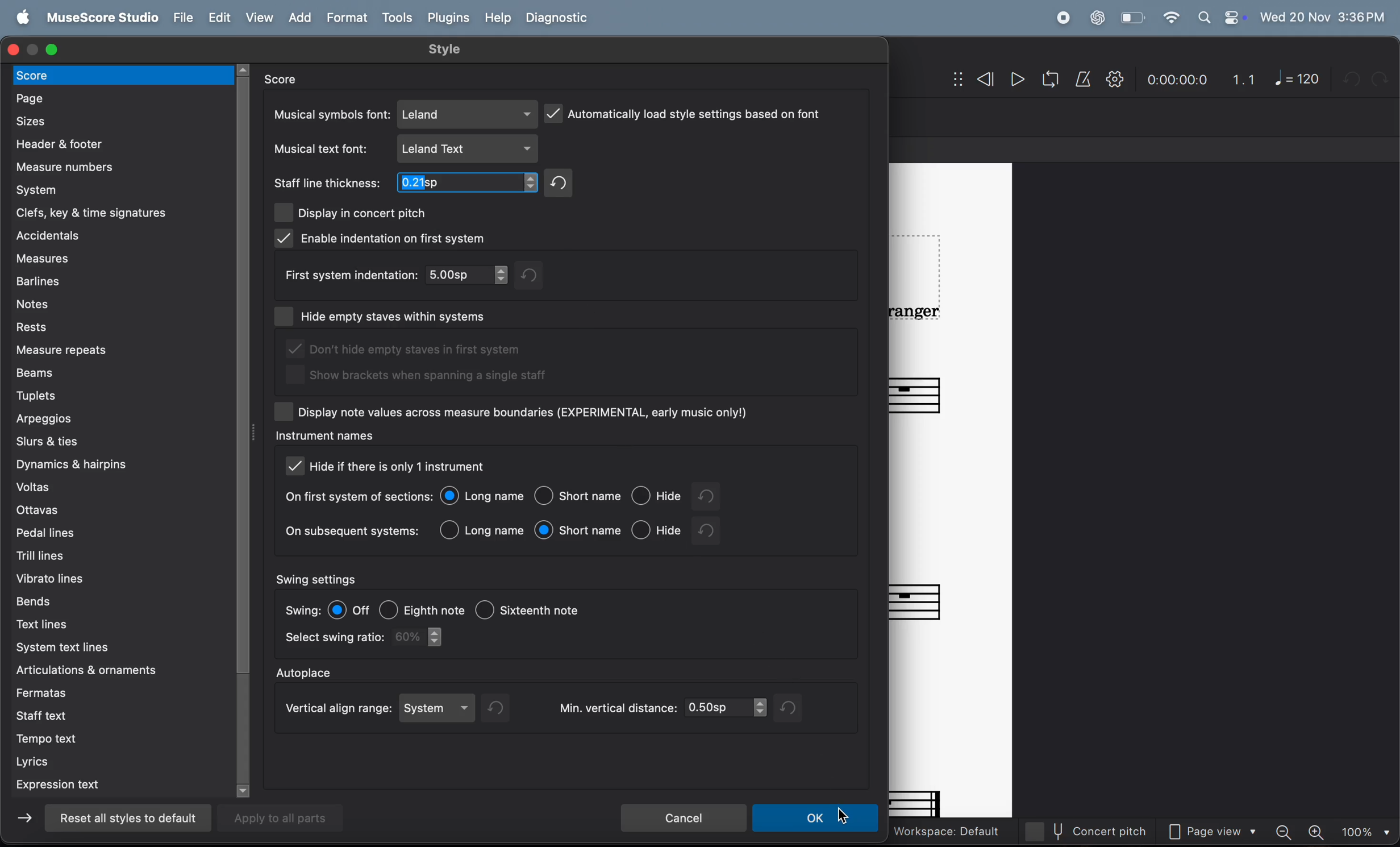  What do you see at coordinates (116, 442) in the screenshot?
I see `slurs and ties` at bounding box center [116, 442].